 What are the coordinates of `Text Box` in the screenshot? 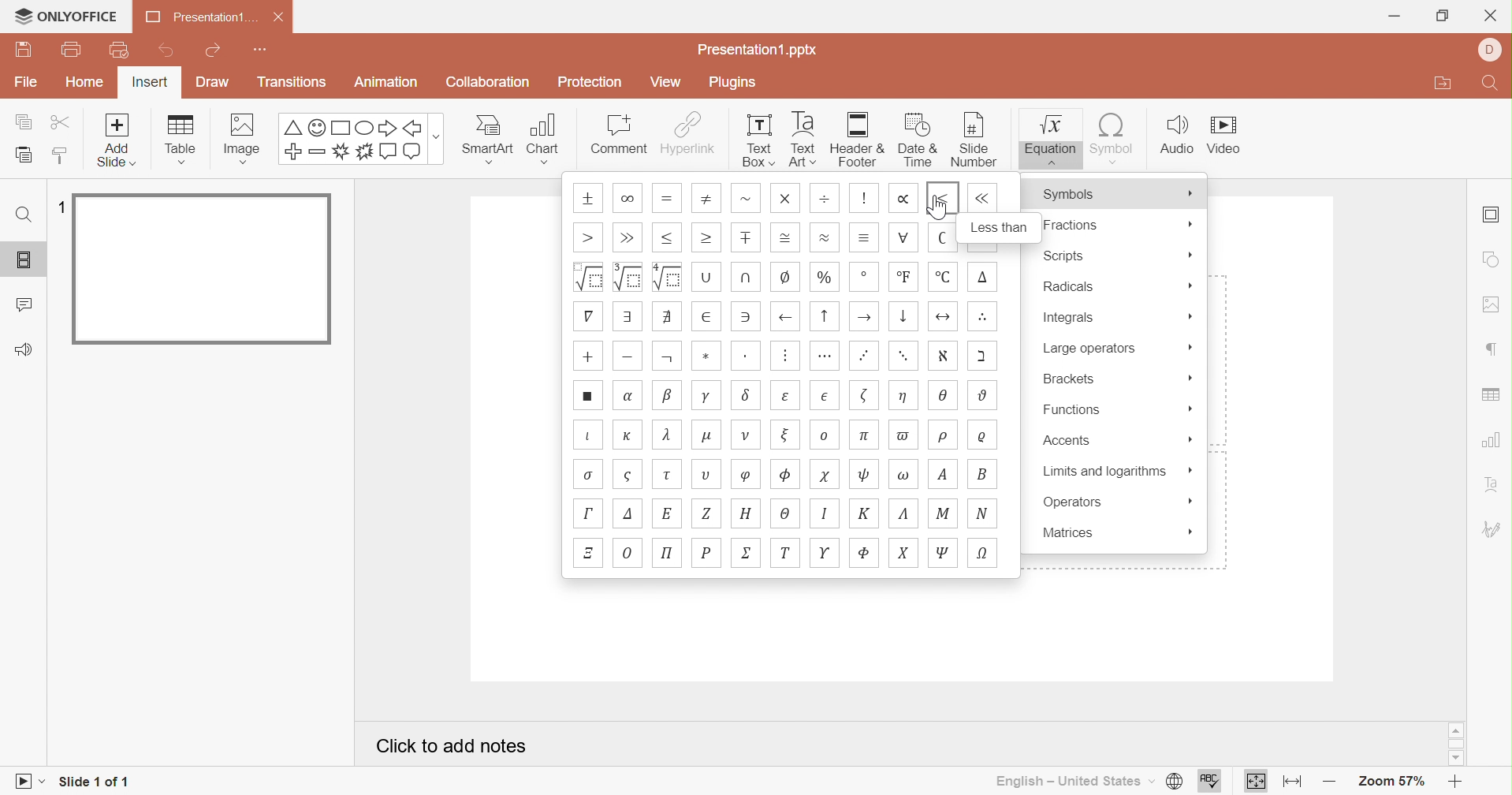 It's located at (759, 141).